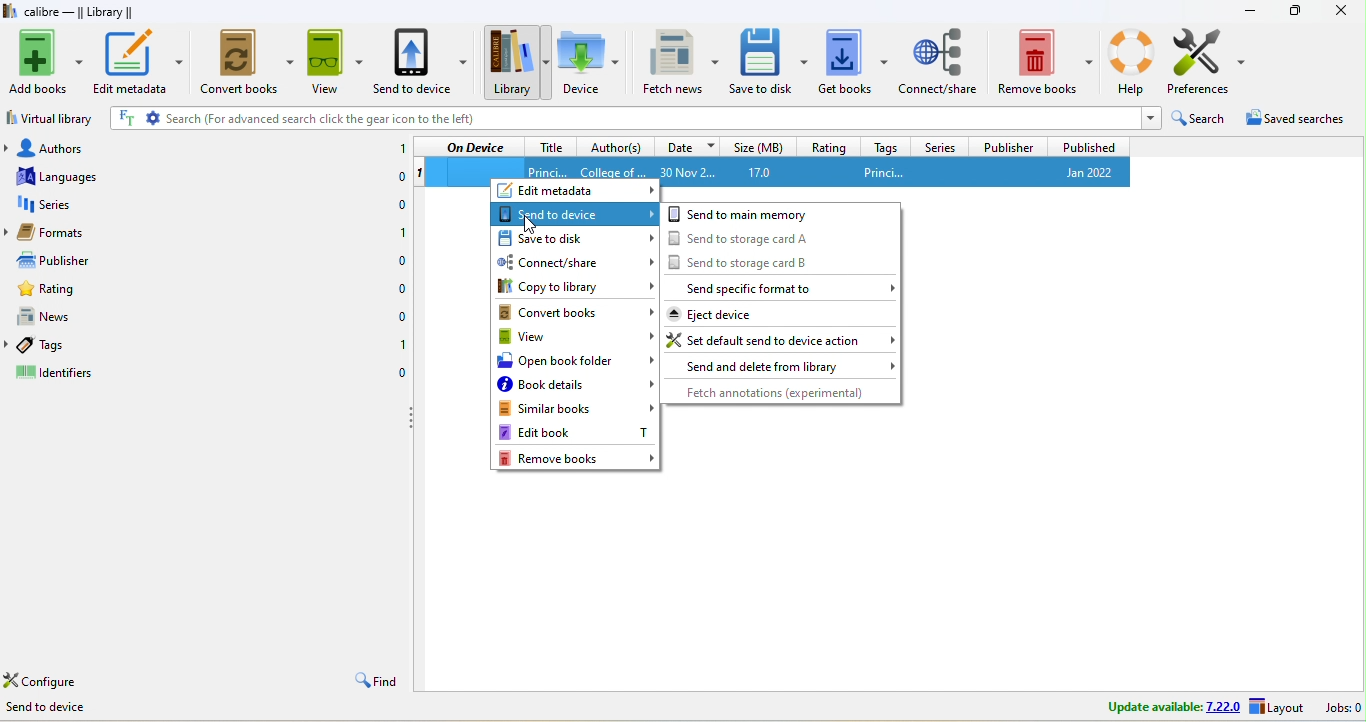 The height and width of the screenshot is (722, 1366). What do you see at coordinates (1160, 706) in the screenshot?
I see `update avalable 7.22.0` at bounding box center [1160, 706].